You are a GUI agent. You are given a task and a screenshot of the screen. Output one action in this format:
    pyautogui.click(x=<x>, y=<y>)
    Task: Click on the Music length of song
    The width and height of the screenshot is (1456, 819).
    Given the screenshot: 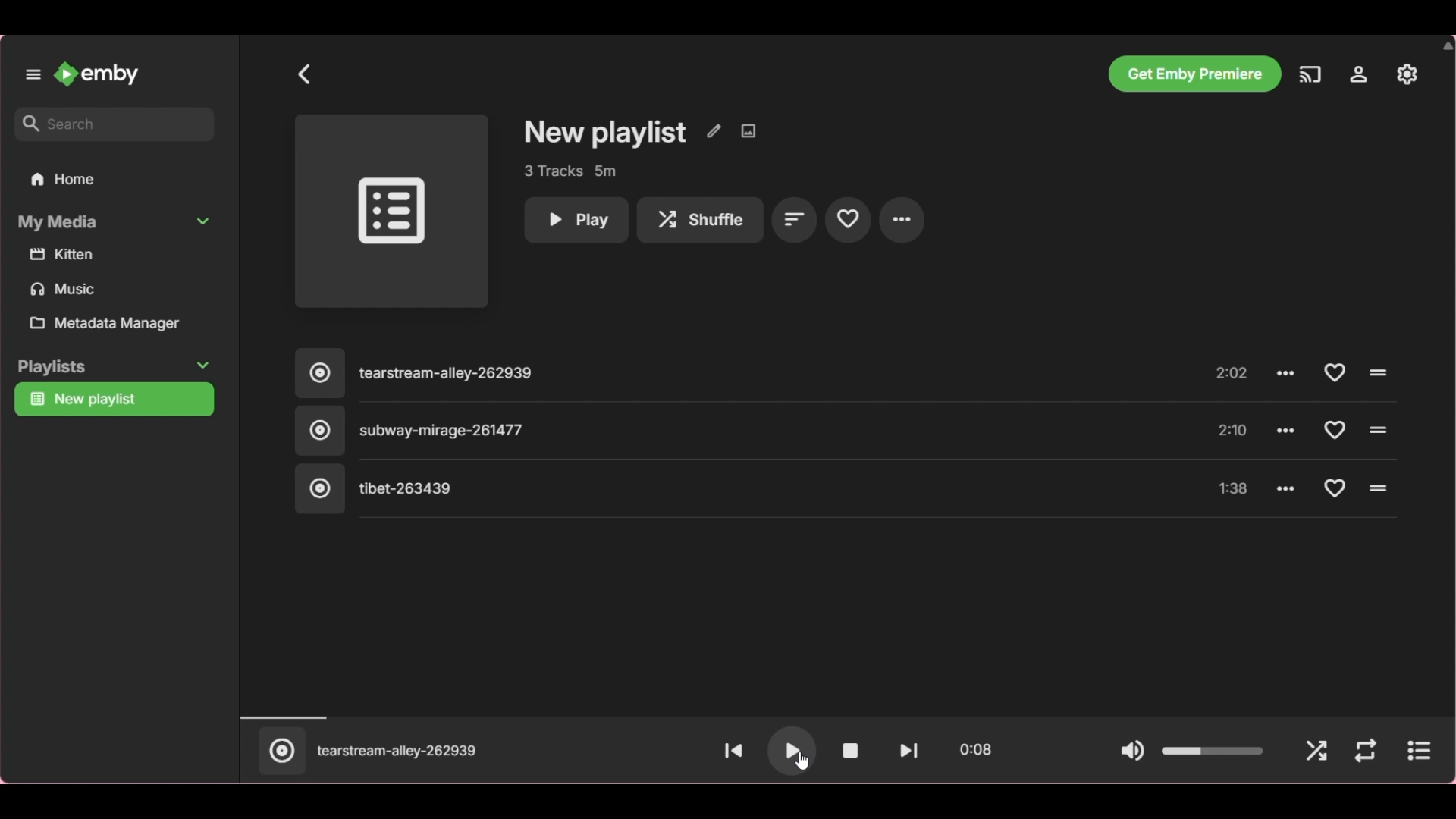 What is the action you would take?
    pyautogui.click(x=1234, y=490)
    